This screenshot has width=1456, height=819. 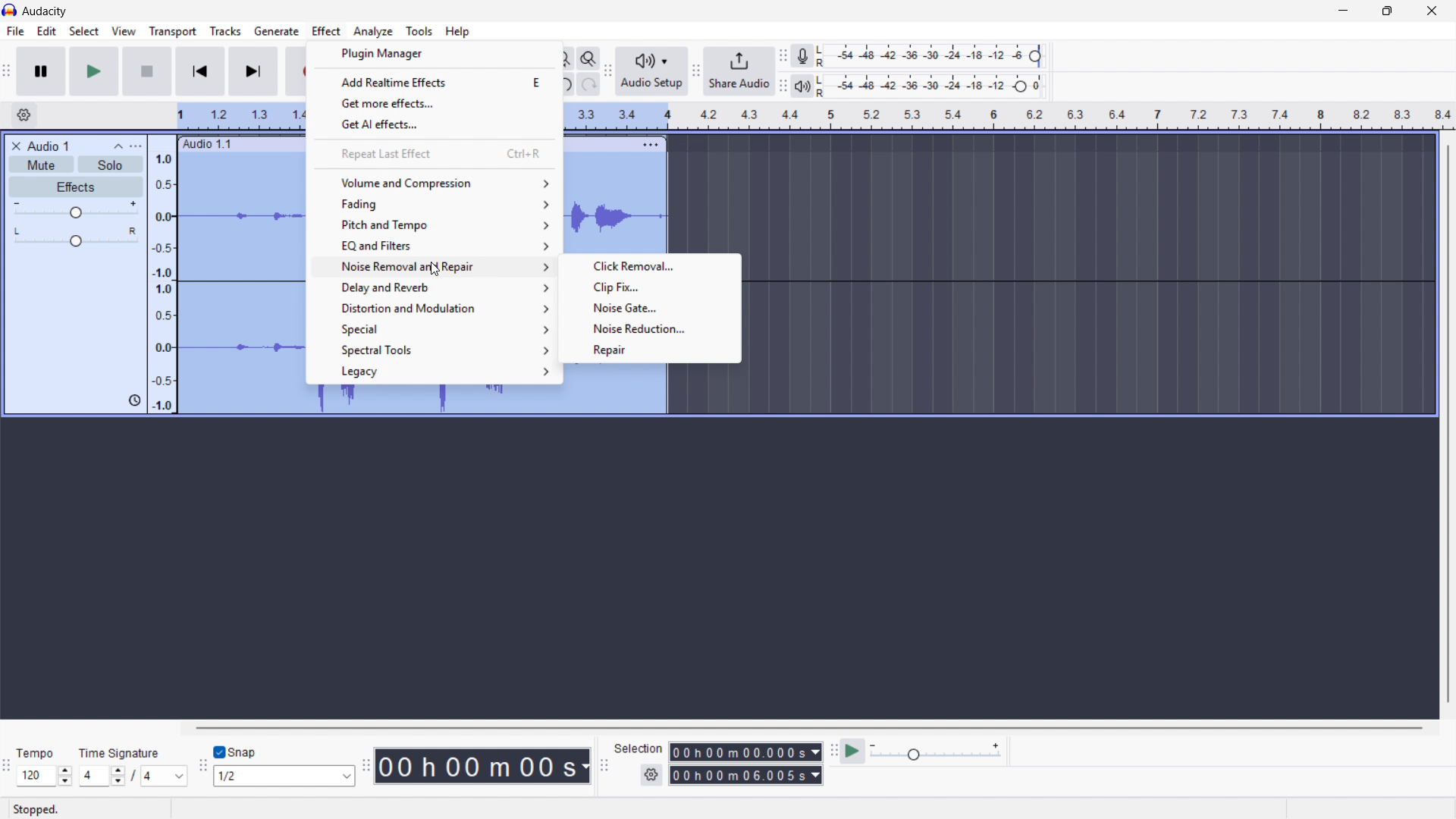 What do you see at coordinates (254, 71) in the screenshot?
I see `Skip to end ` at bounding box center [254, 71].